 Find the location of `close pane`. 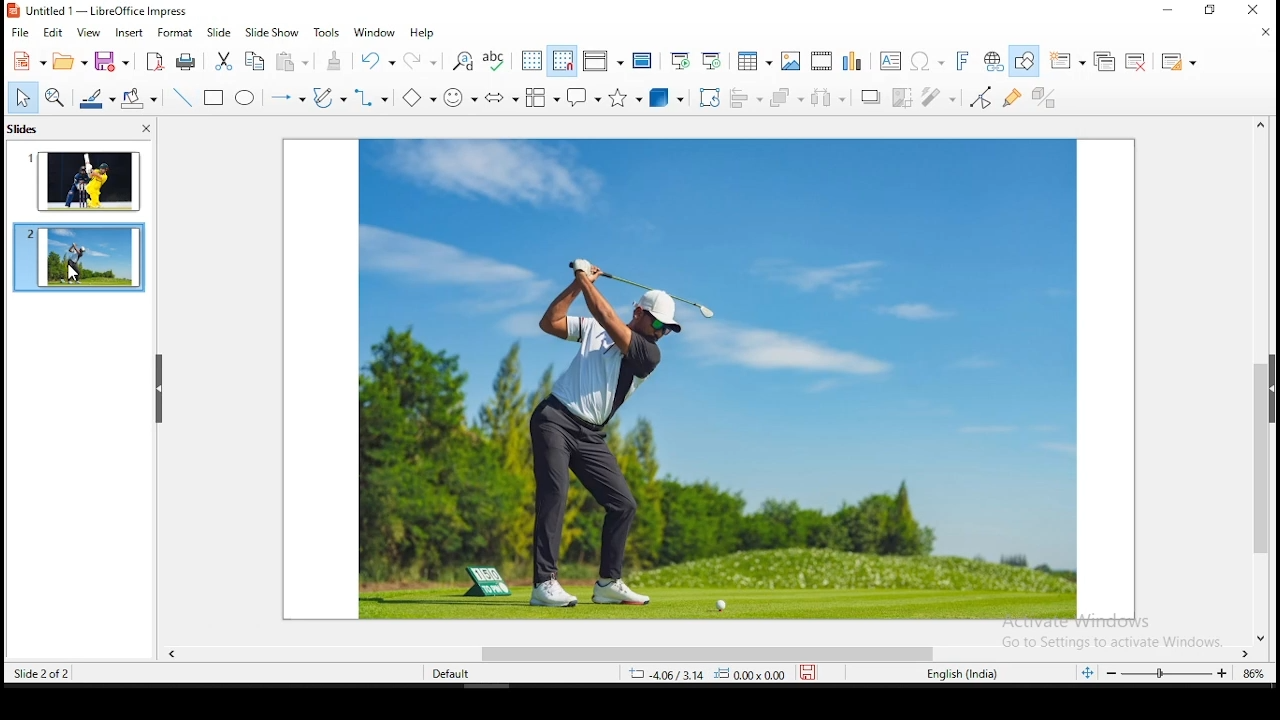

close pane is located at coordinates (146, 128).